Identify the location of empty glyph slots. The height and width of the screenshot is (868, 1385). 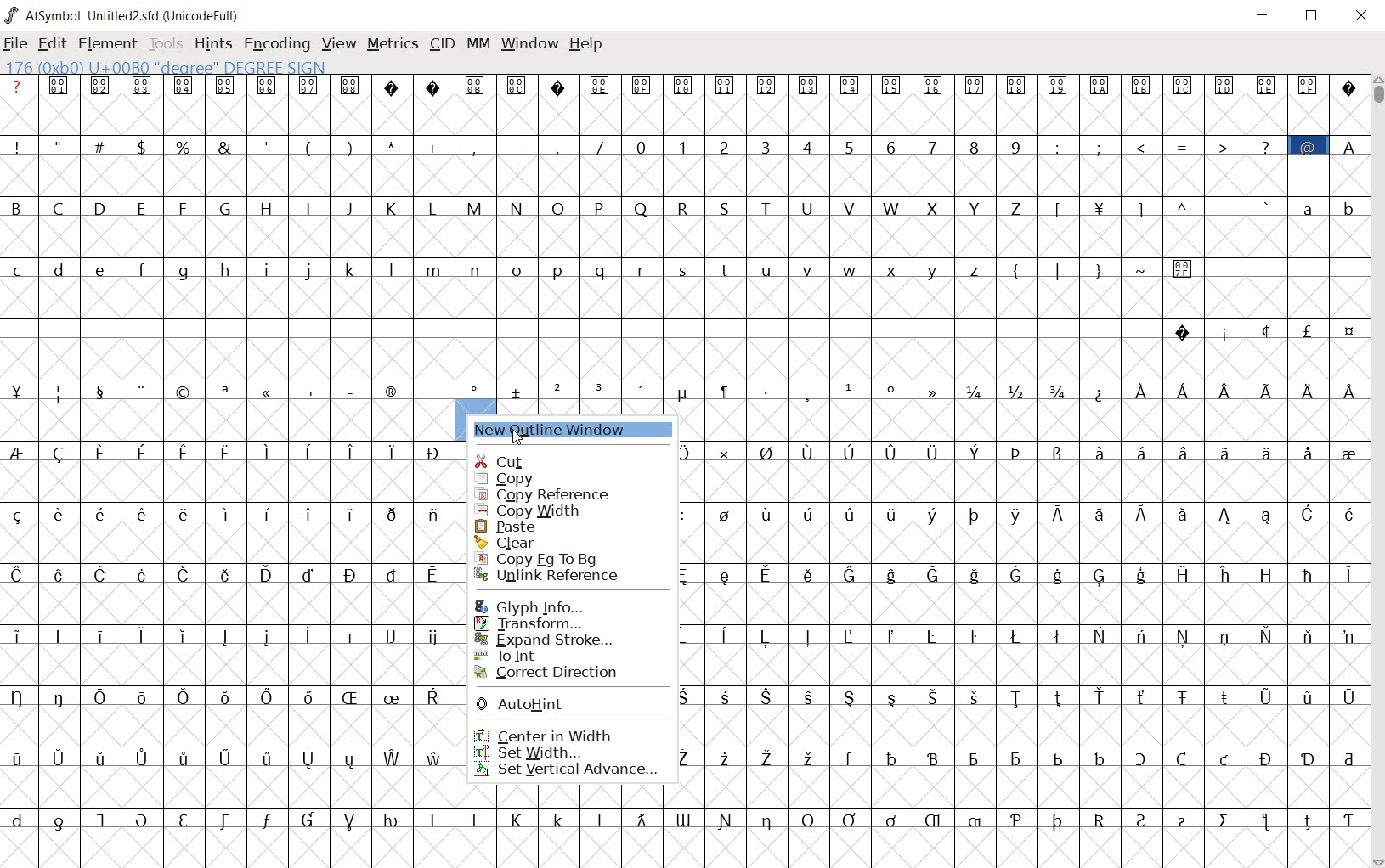
(234, 603).